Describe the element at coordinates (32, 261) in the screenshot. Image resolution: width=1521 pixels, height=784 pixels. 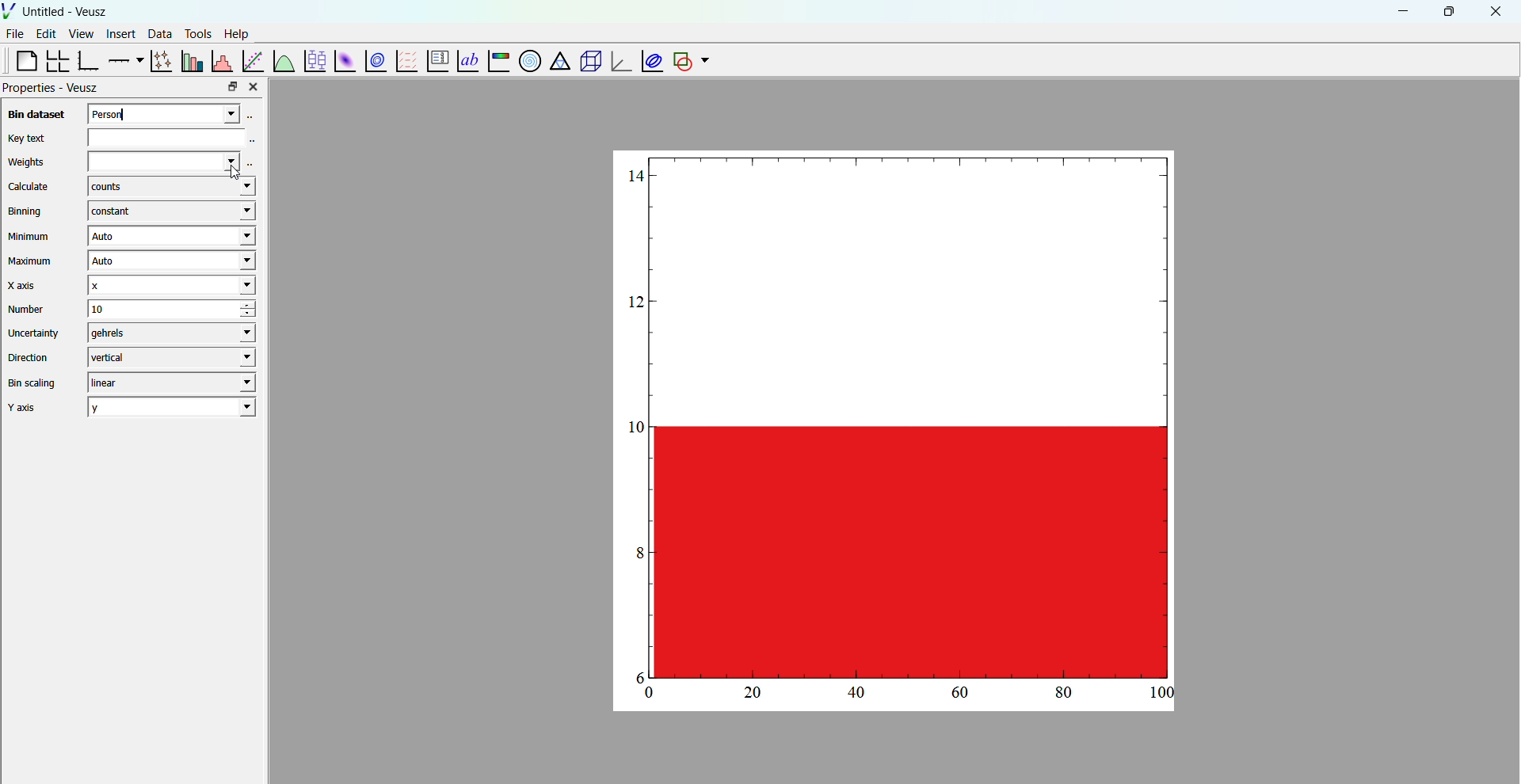
I see `Maximum` at that location.